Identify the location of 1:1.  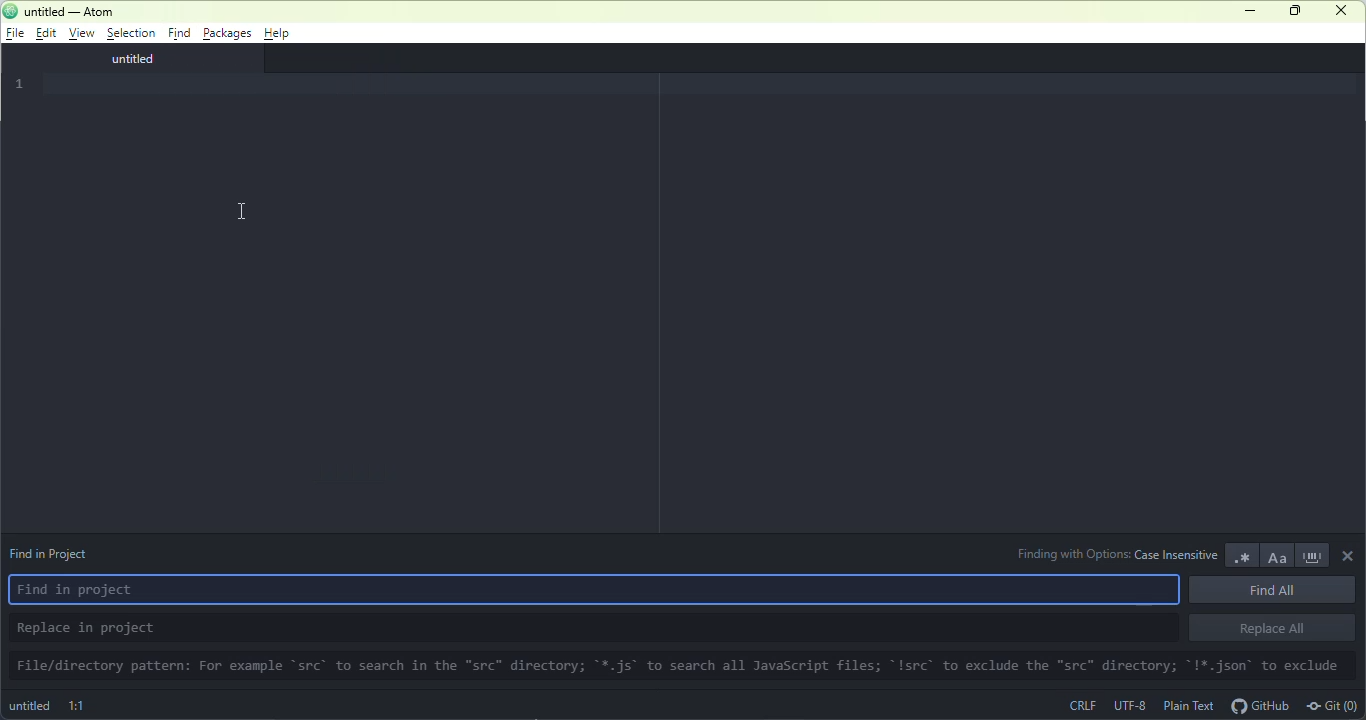
(79, 704).